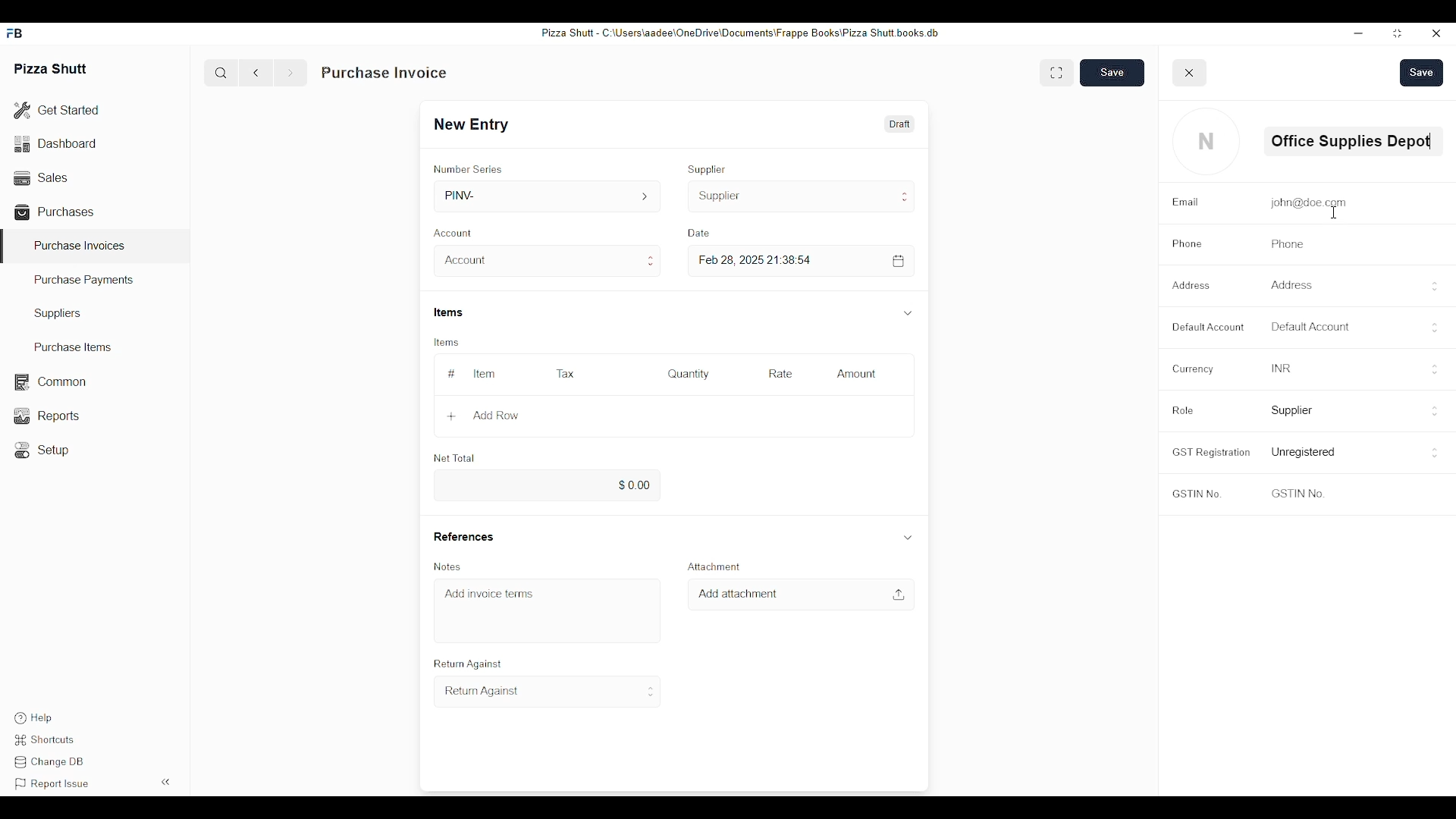 This screenshot has width=1456, height=819. What do you see at coordinates (549, 196) in the screenshot?
I see `PINV` at bounding box center [549, 196].